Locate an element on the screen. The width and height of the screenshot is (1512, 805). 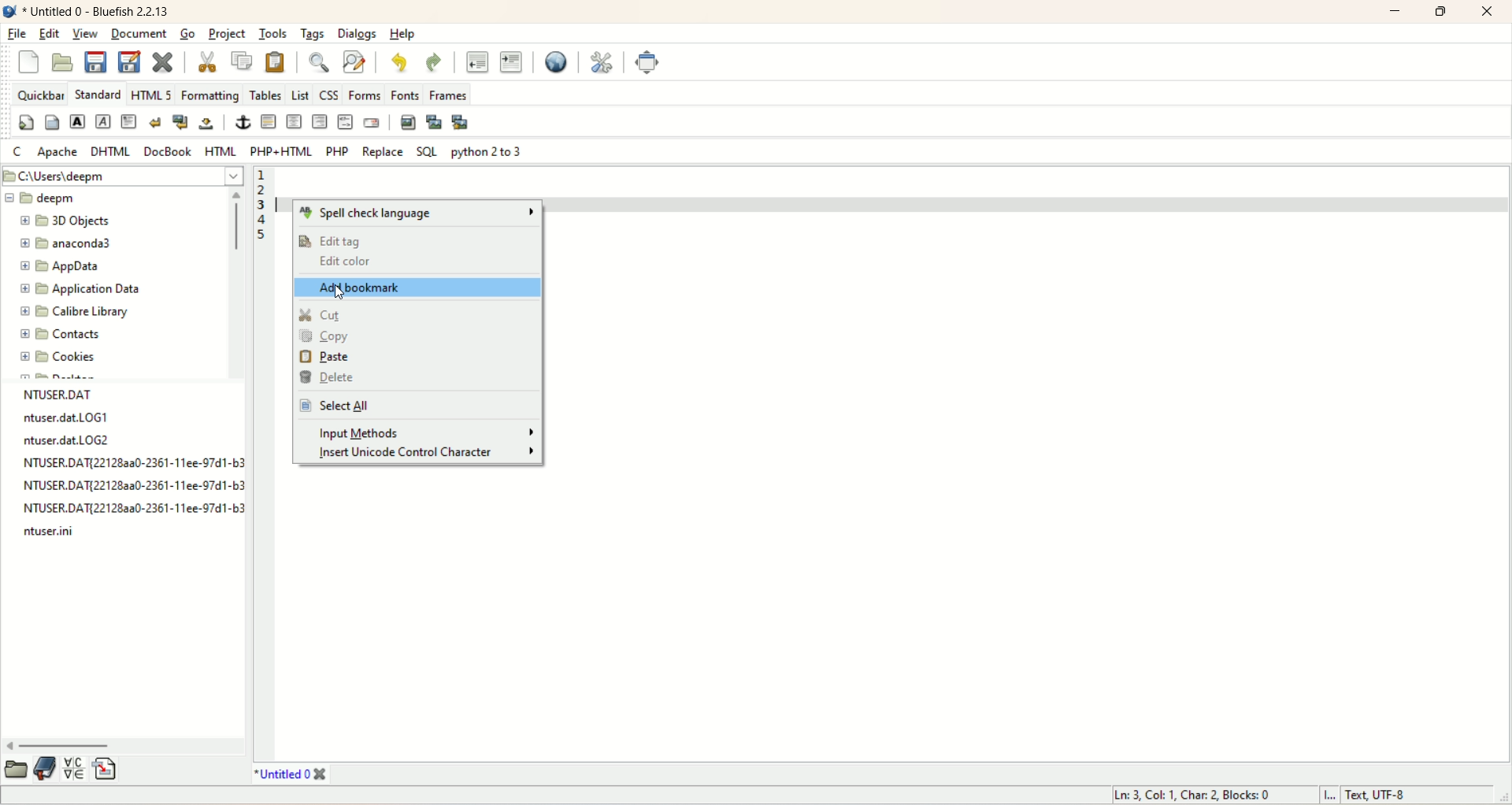
file is located at coordinates (18, 35).